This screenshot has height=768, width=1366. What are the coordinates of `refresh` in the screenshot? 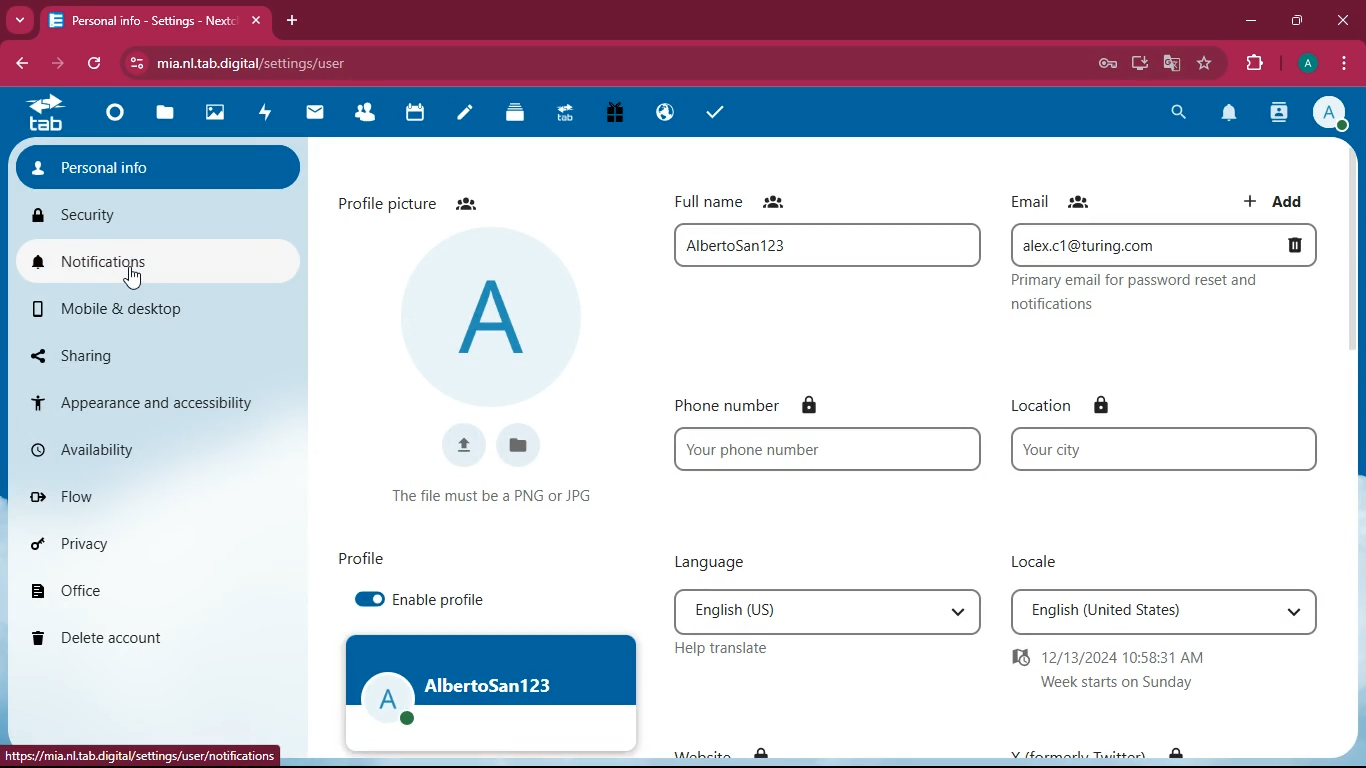 It's located at (95, 65).